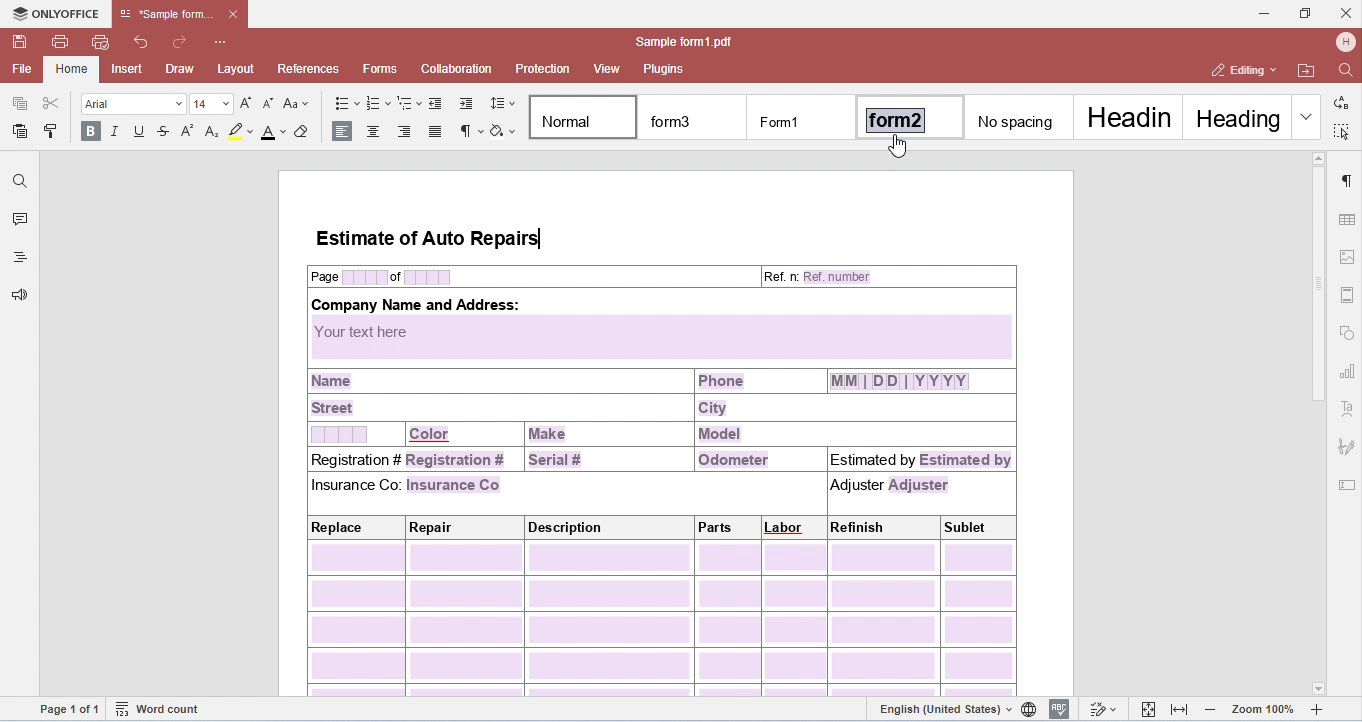 The image size is (1362, 722). Describe the element at coordinates (21, 43) in the screenshot. I see `save` at that location.